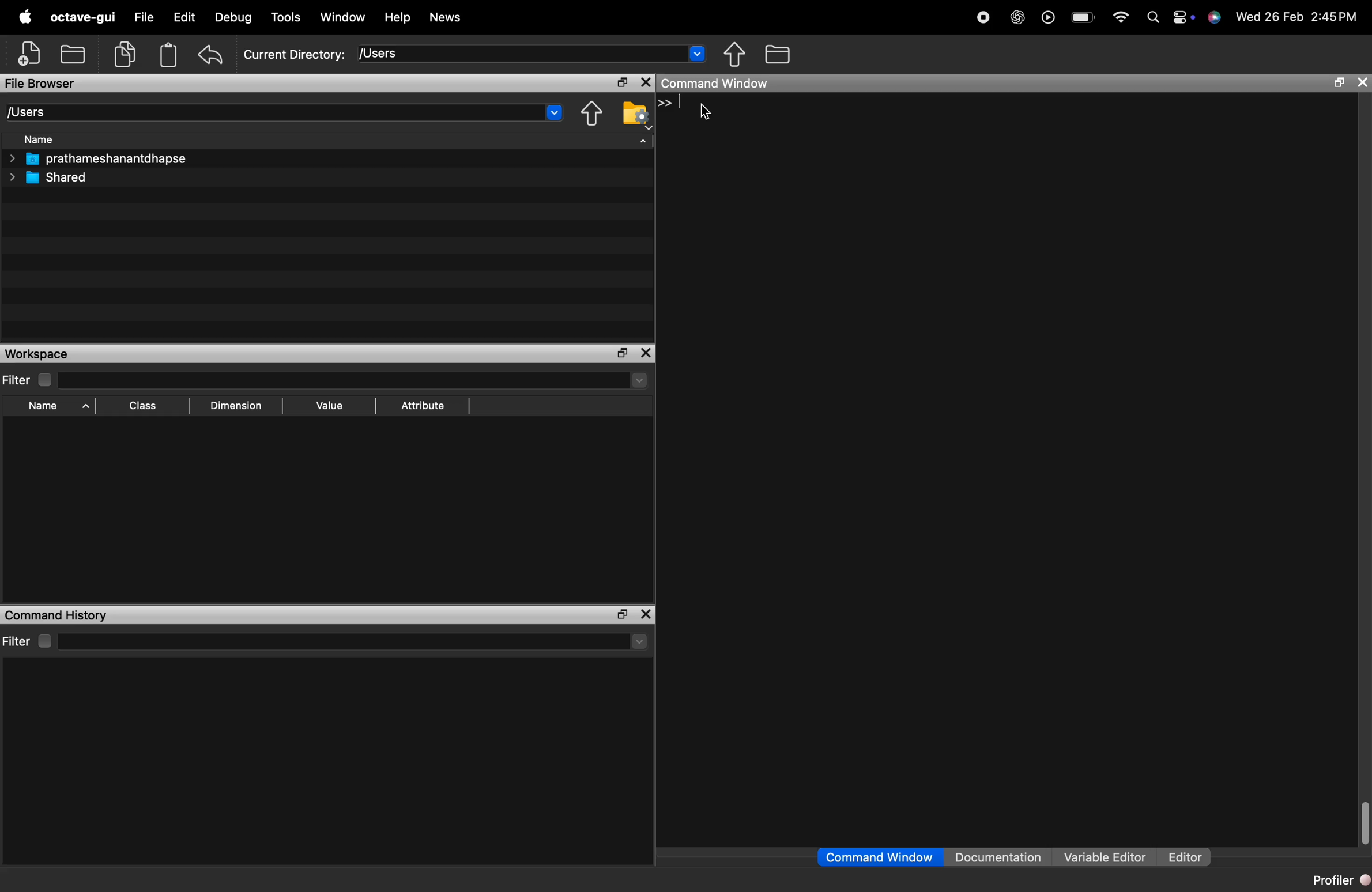 Image resolution: width=1372 pixels, height=892 pixels. What do you see at coordinates (56, 82) in the screenshot?
I see `File Browser` at bounding box center [56, 82].